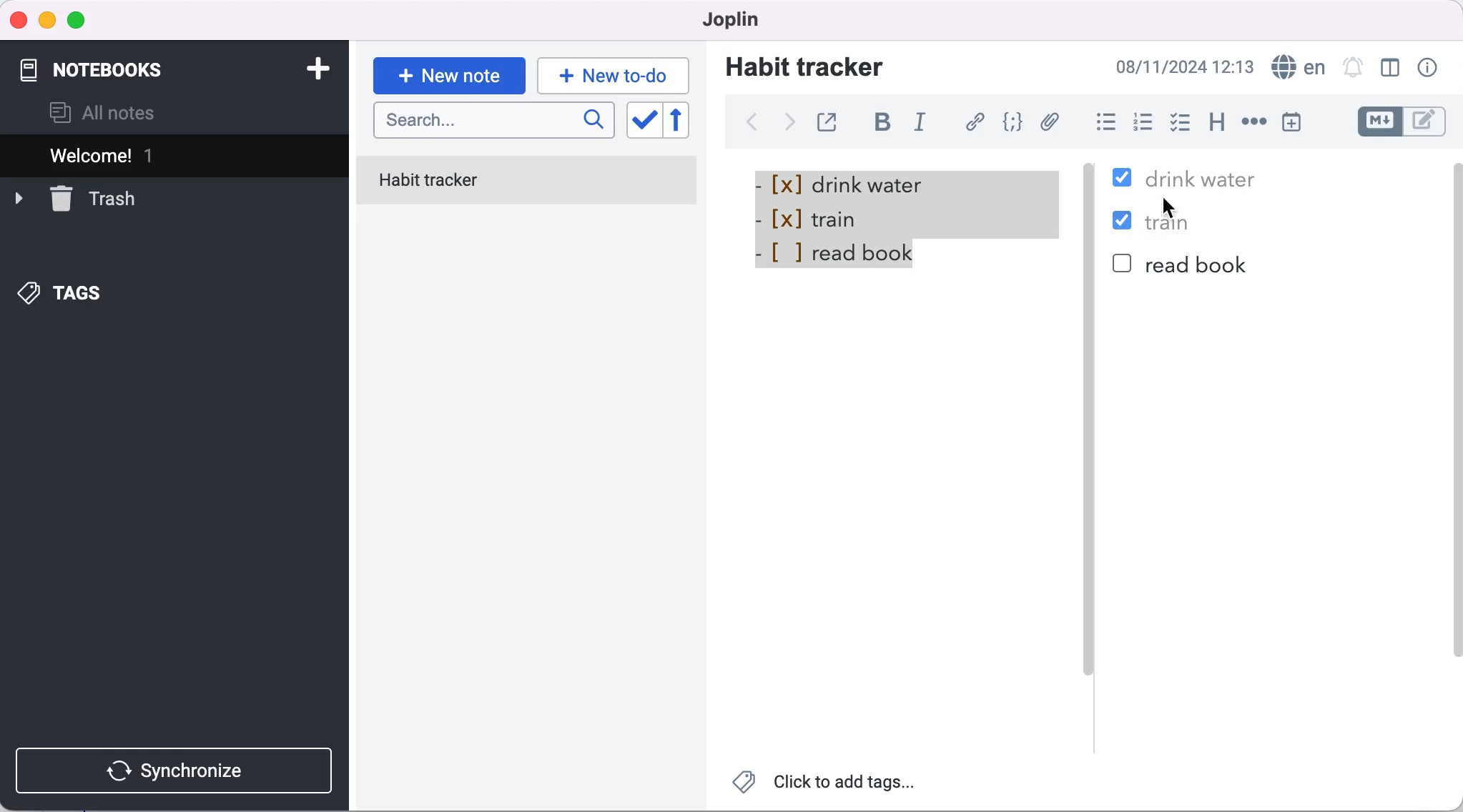 The image size is (1463, 812). I want to click on bulleted list, so click(1103, 124).